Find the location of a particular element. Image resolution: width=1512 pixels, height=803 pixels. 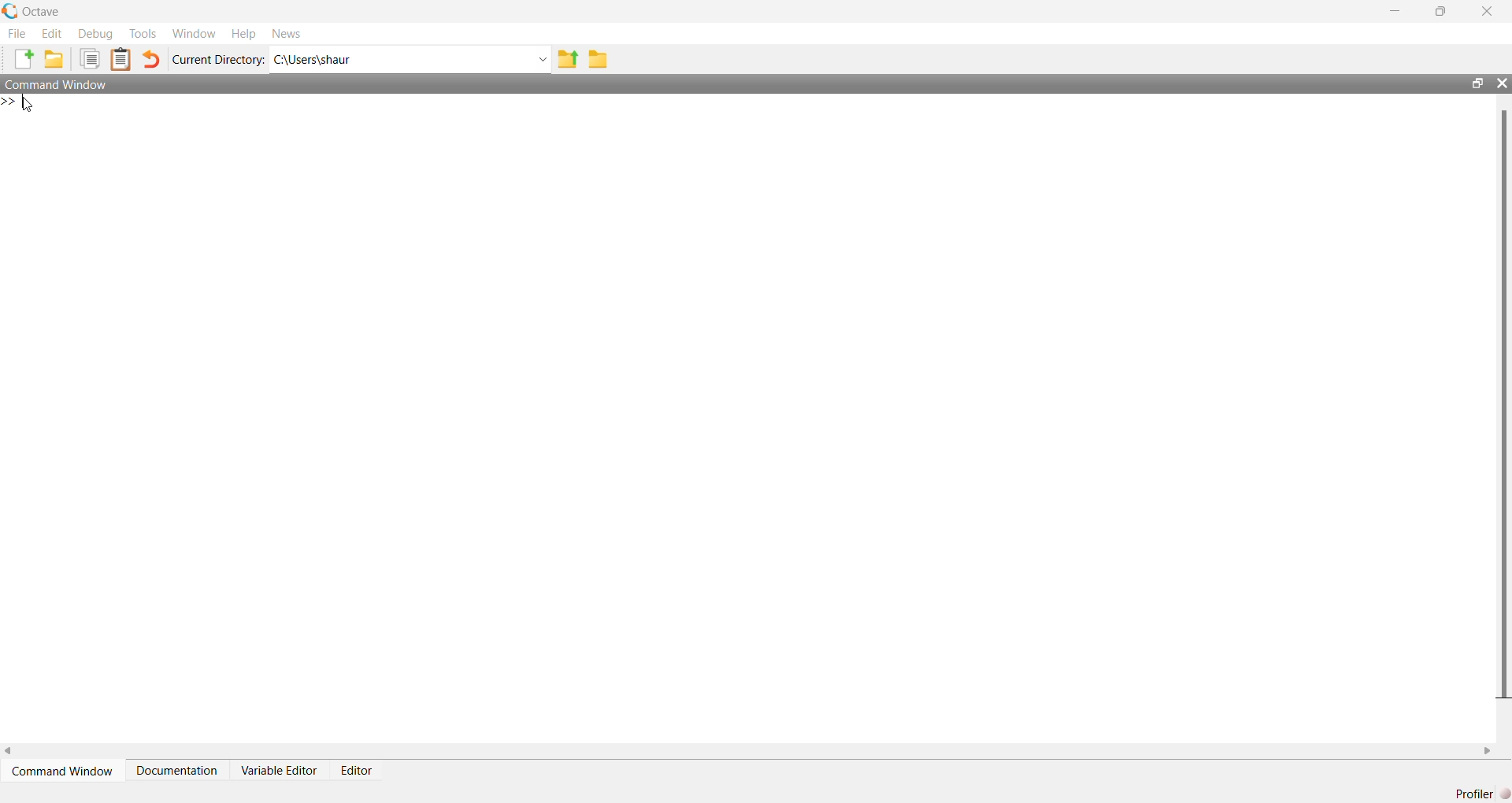

scroll right is located at coordinates (1488, 752).